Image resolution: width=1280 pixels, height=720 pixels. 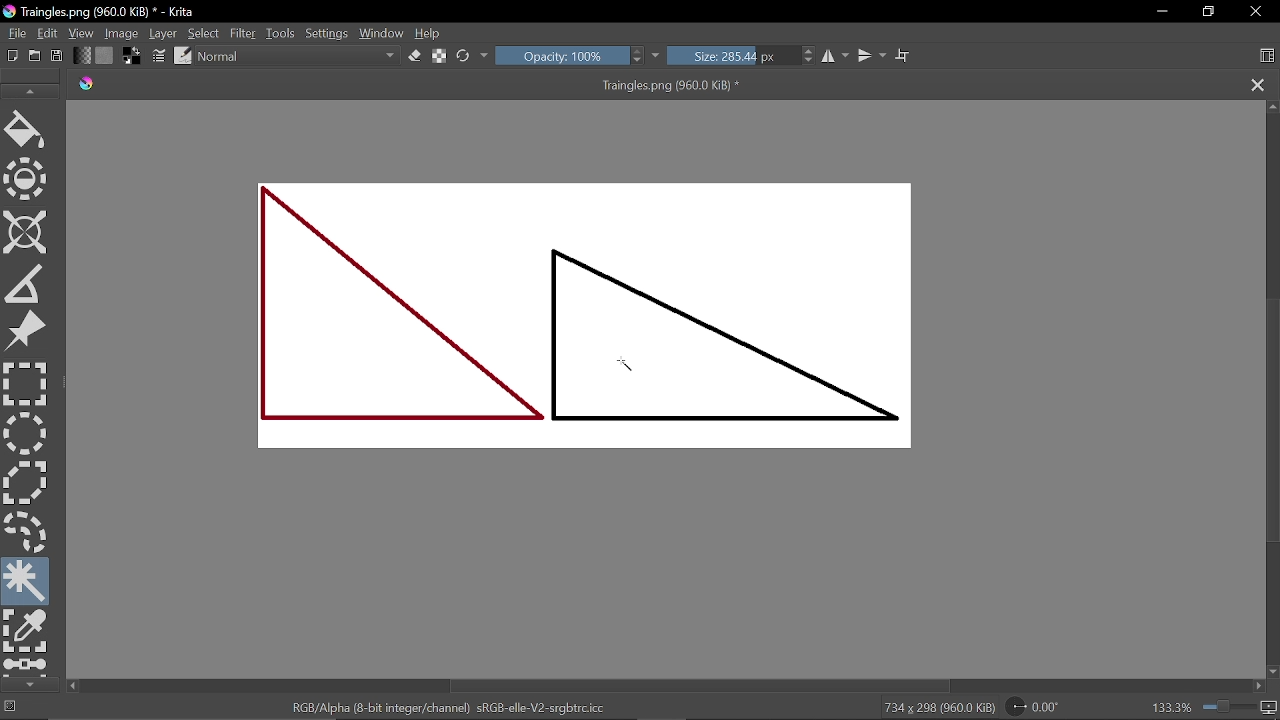 I want to click on Horizontal scroll, so click(x=706, y=685).